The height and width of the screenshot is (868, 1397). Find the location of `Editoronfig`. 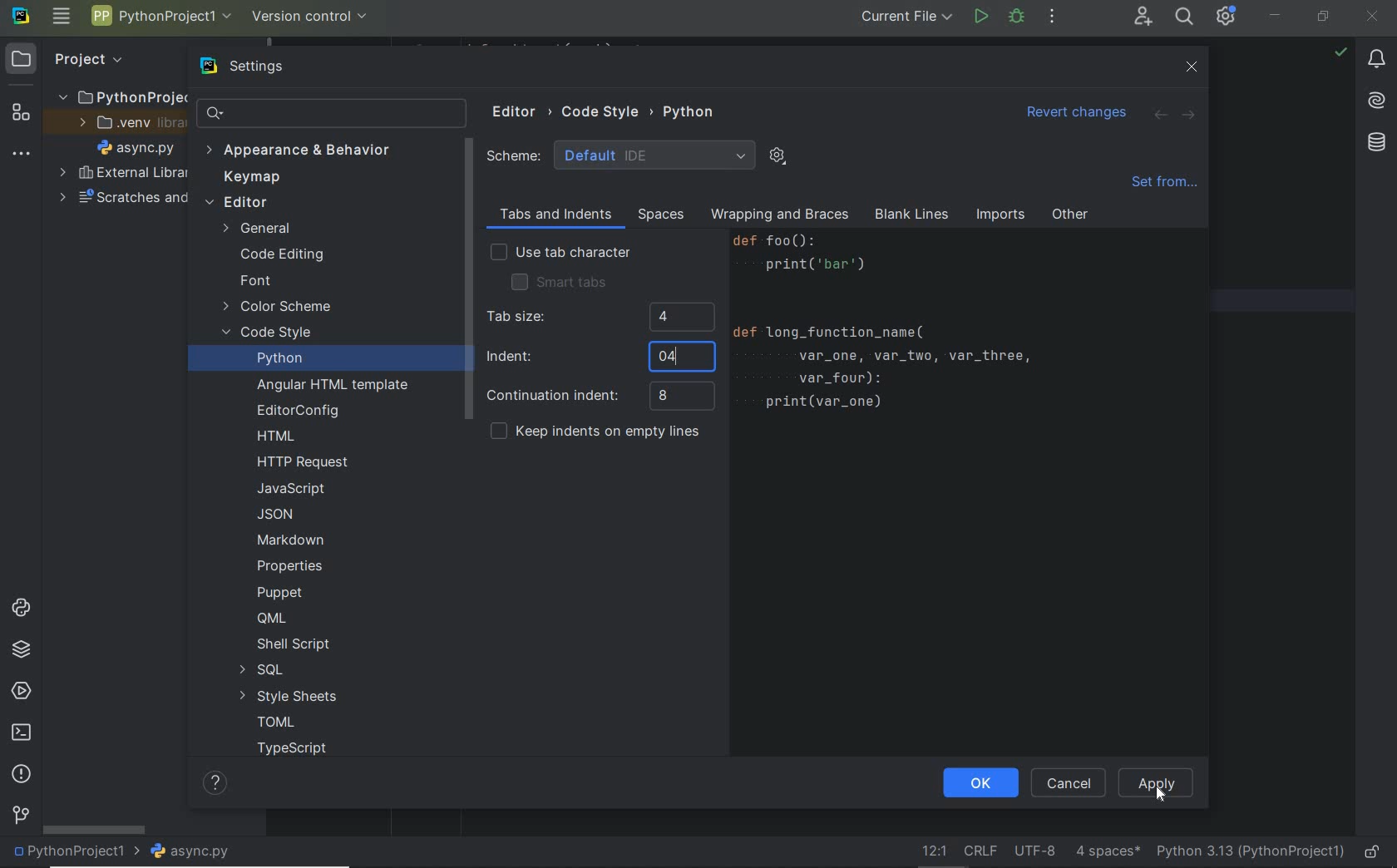

Editoronfig is located at coordinates (294, 411).